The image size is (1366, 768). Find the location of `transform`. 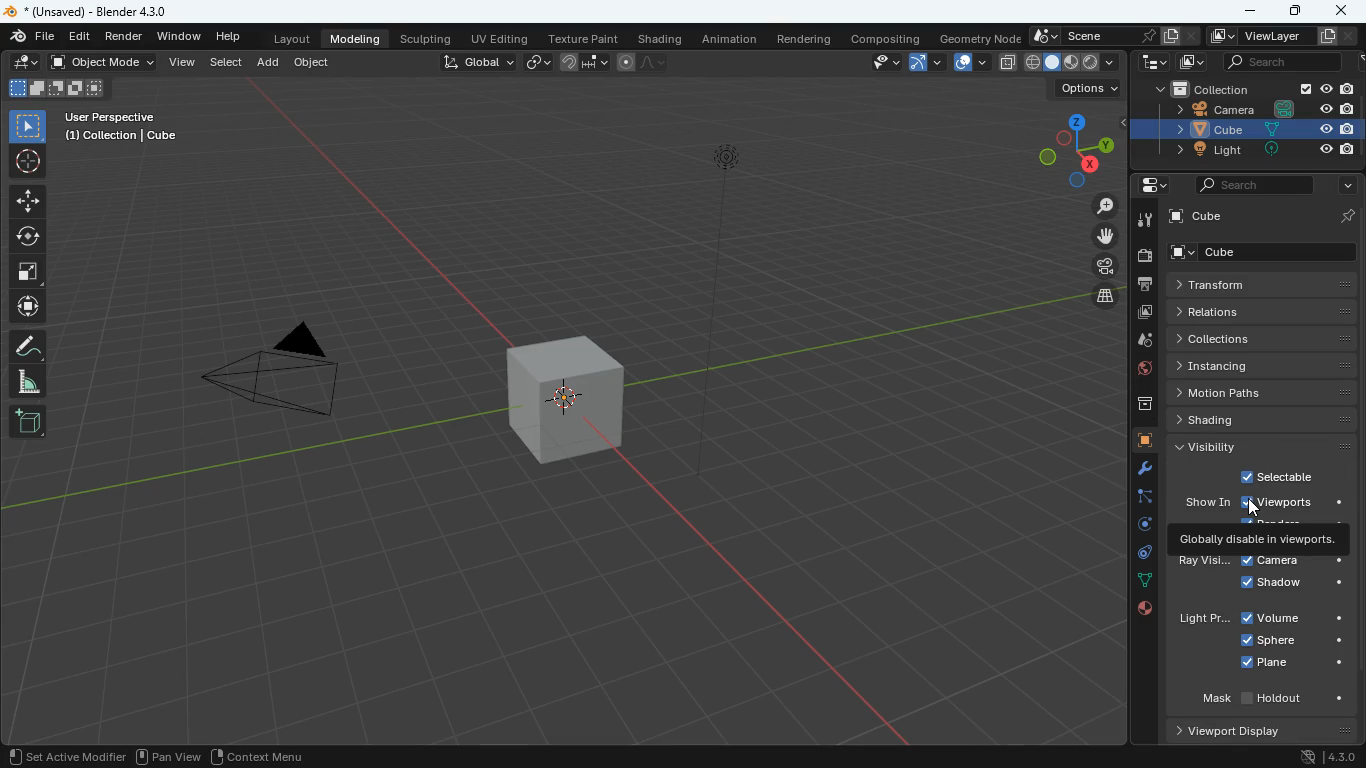

transform is located at coordinates (1256, 284).